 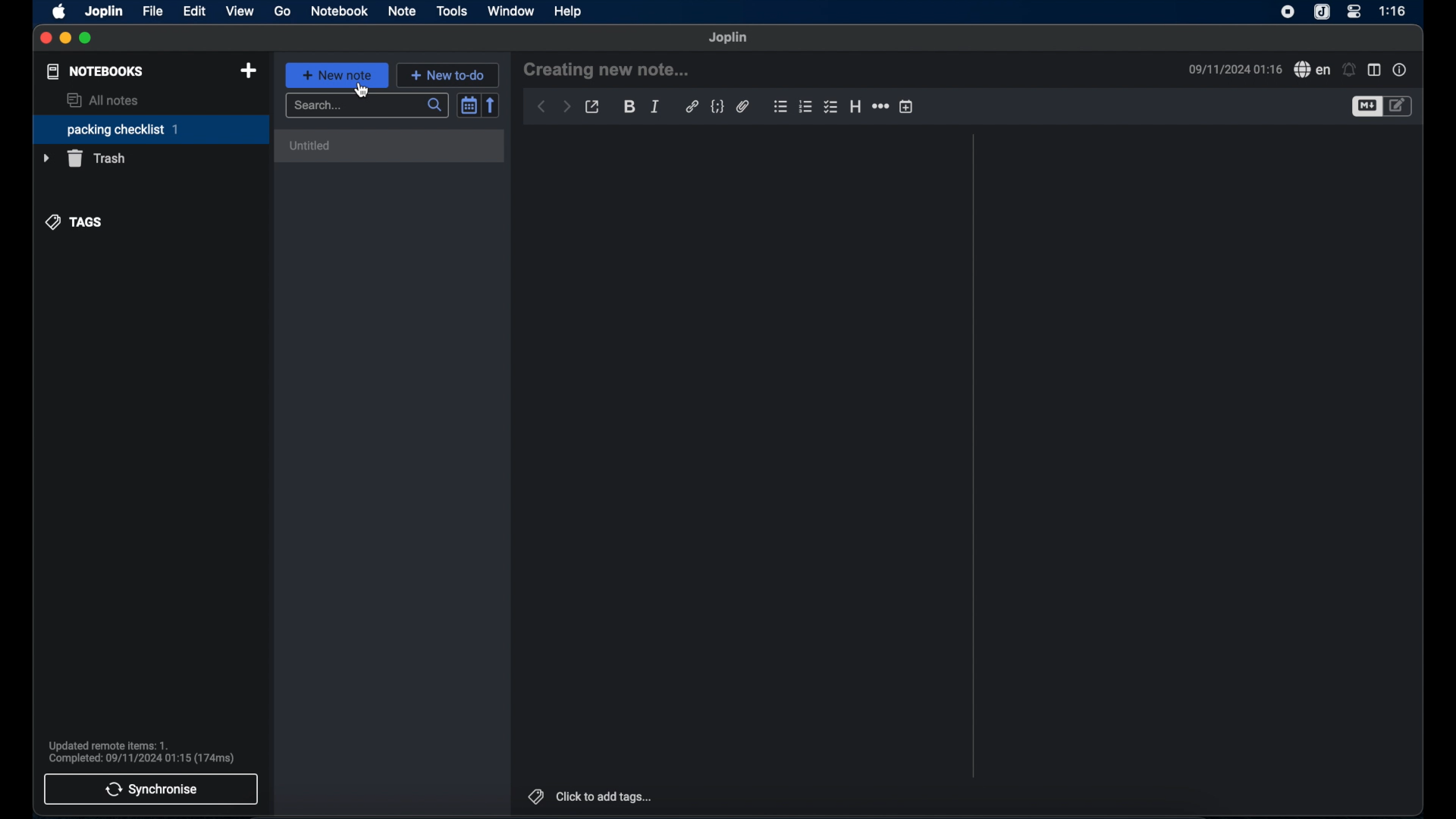 I want to click on help, so click(x=569, y=11).